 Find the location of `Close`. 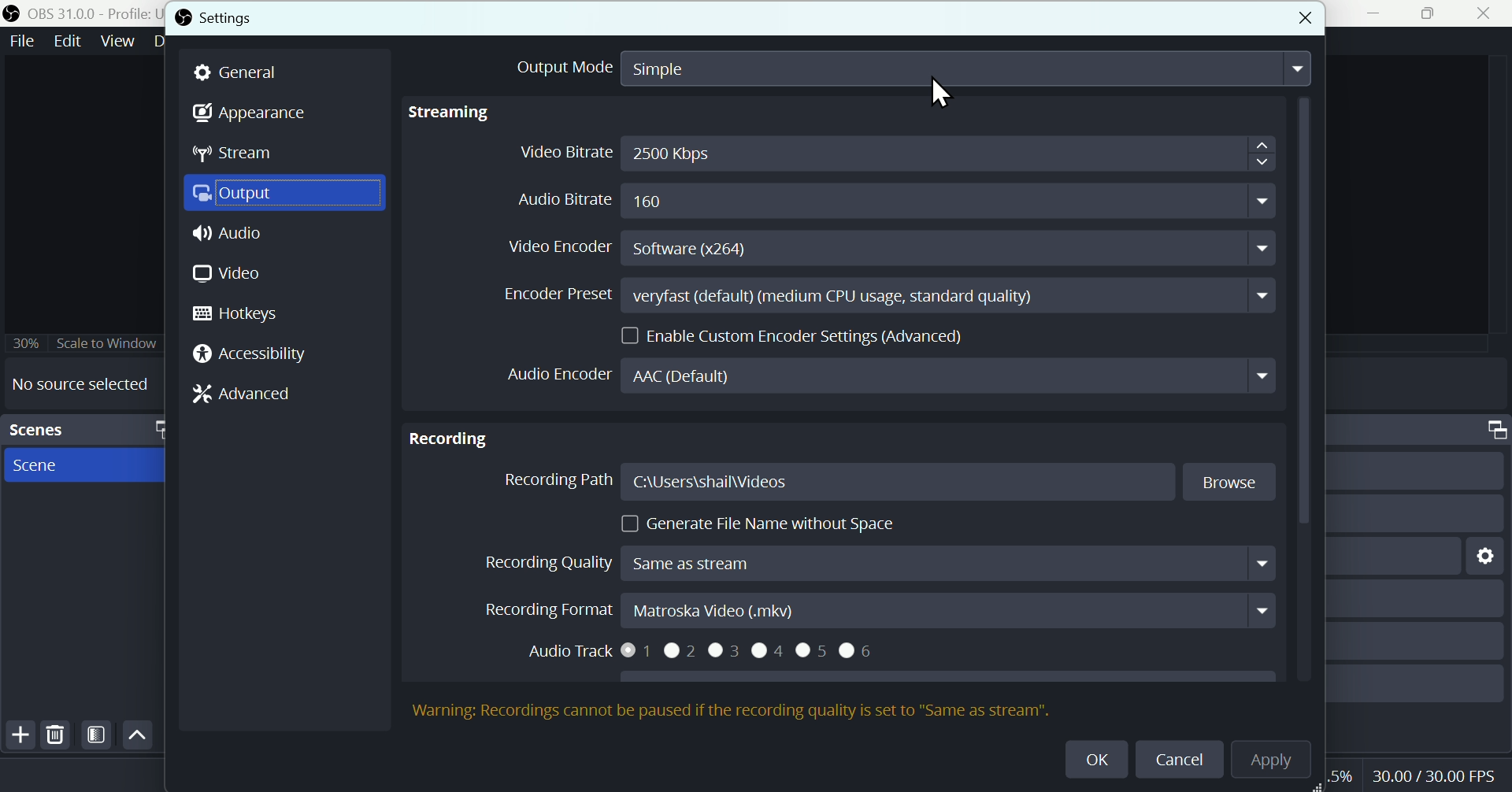

Close is located at coordinates (1488, 13).